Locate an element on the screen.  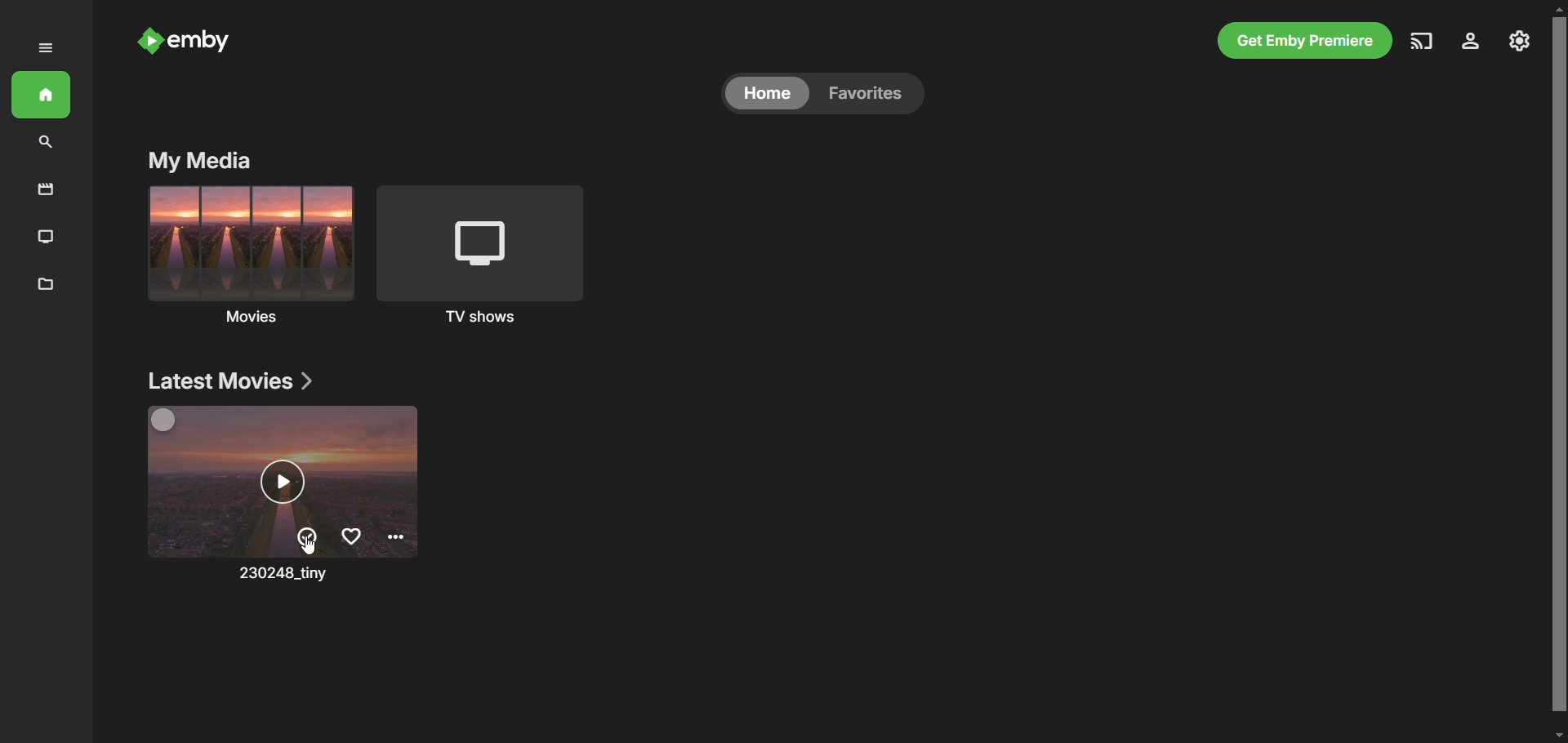
setting is located at coordinates (1517, 42).